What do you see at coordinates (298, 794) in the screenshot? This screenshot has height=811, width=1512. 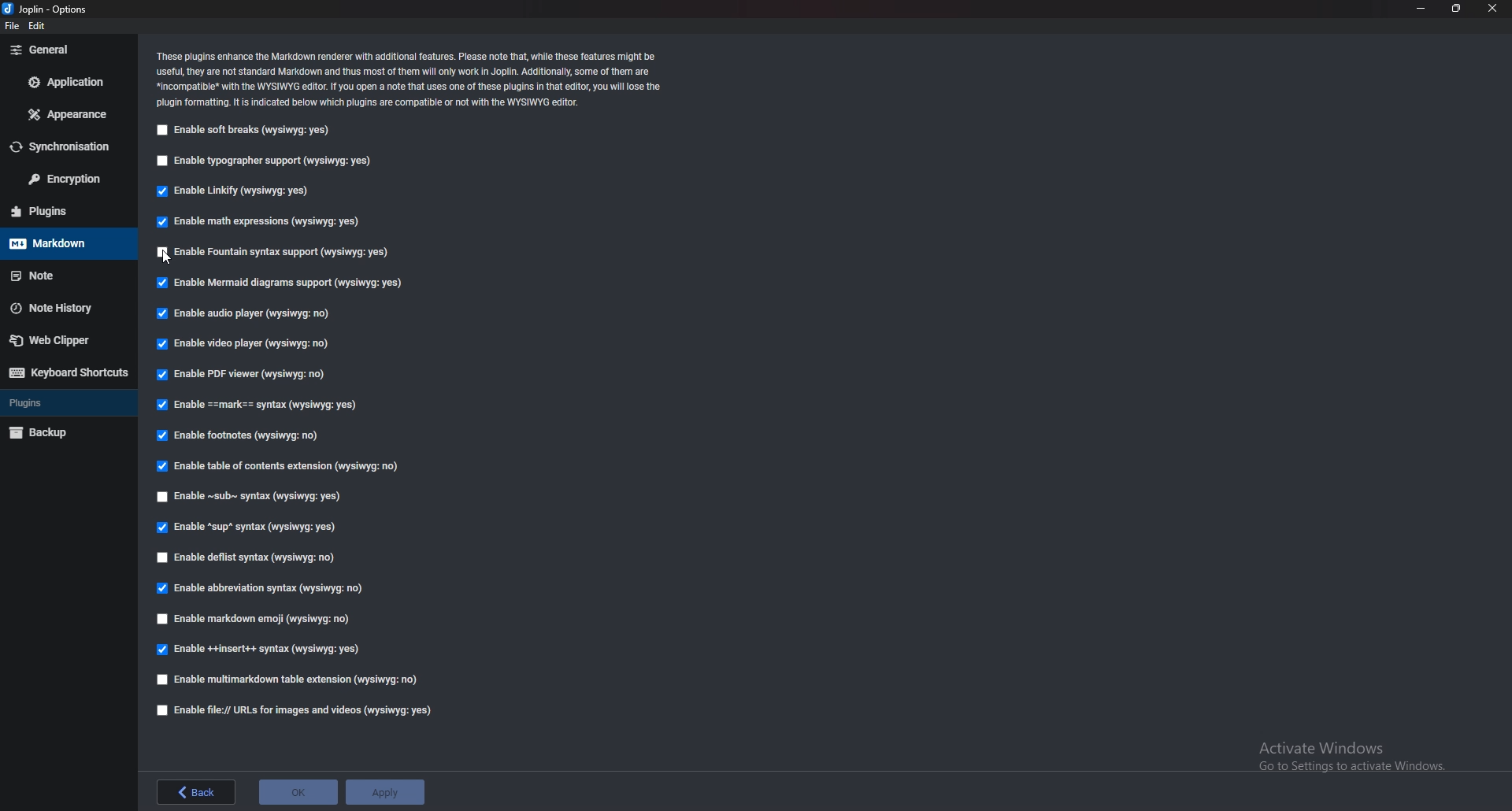 I see `ok` at bounding box center [298, 794].